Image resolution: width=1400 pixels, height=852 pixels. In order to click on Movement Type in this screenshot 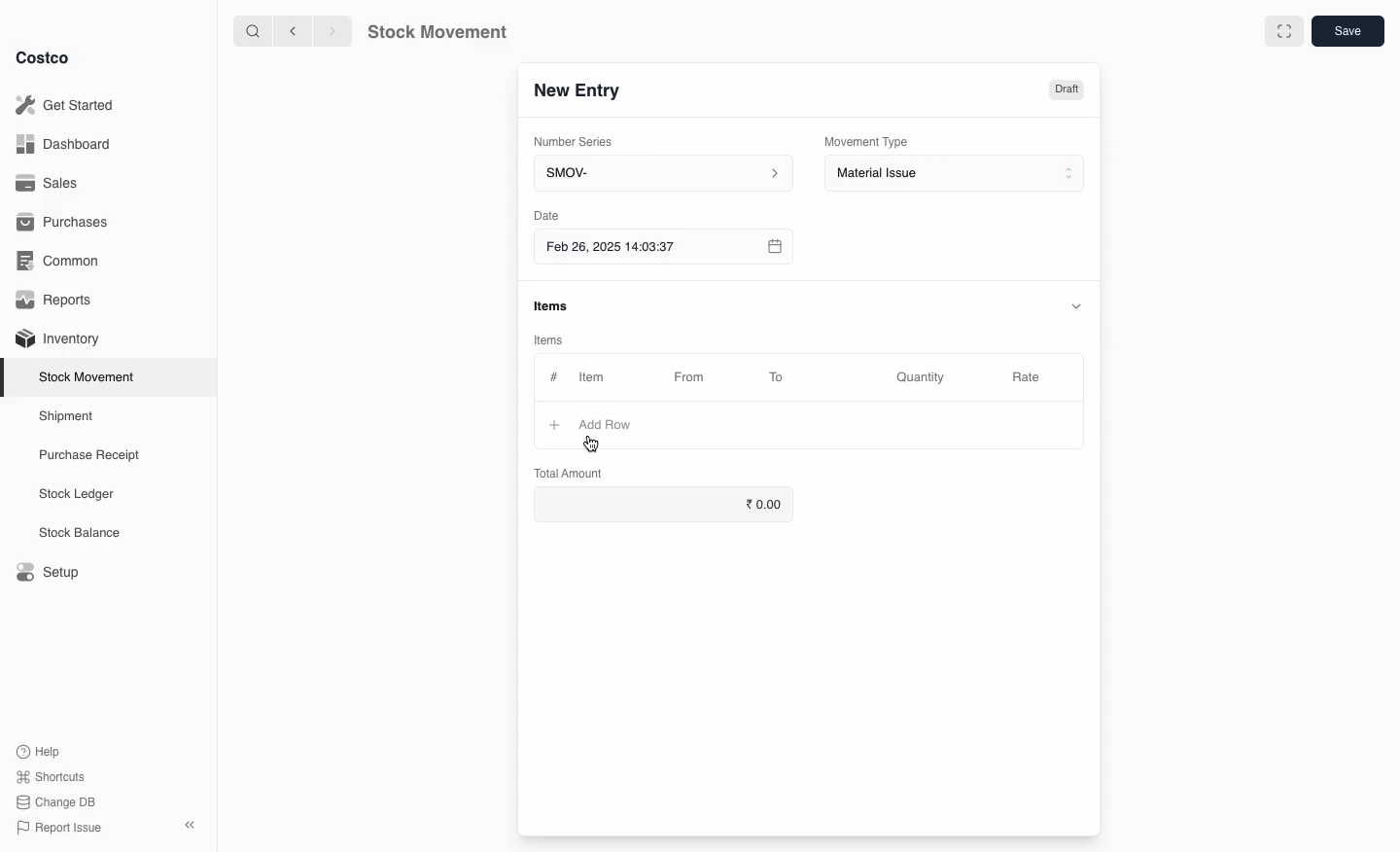, I will do `click(867, 141)`.